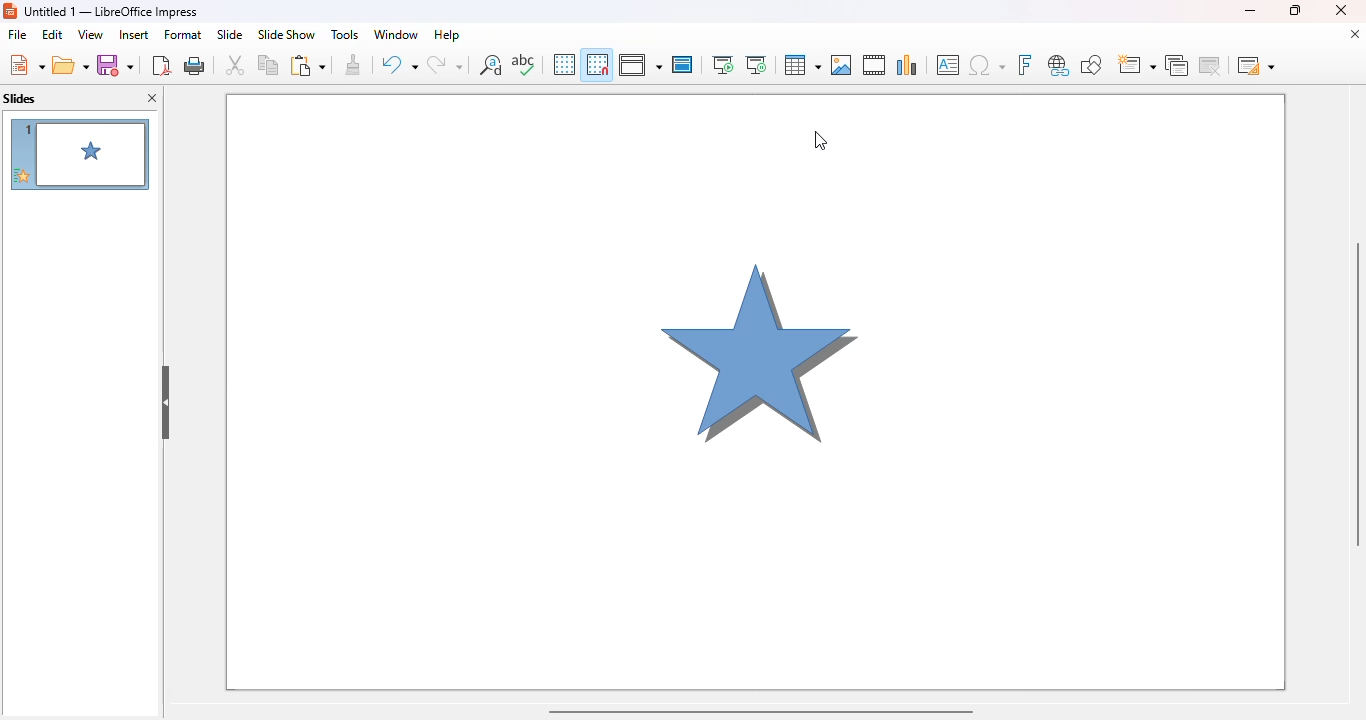  Describe the element at coordinates (91, 34) in the screenshot. I see `view` at that location.